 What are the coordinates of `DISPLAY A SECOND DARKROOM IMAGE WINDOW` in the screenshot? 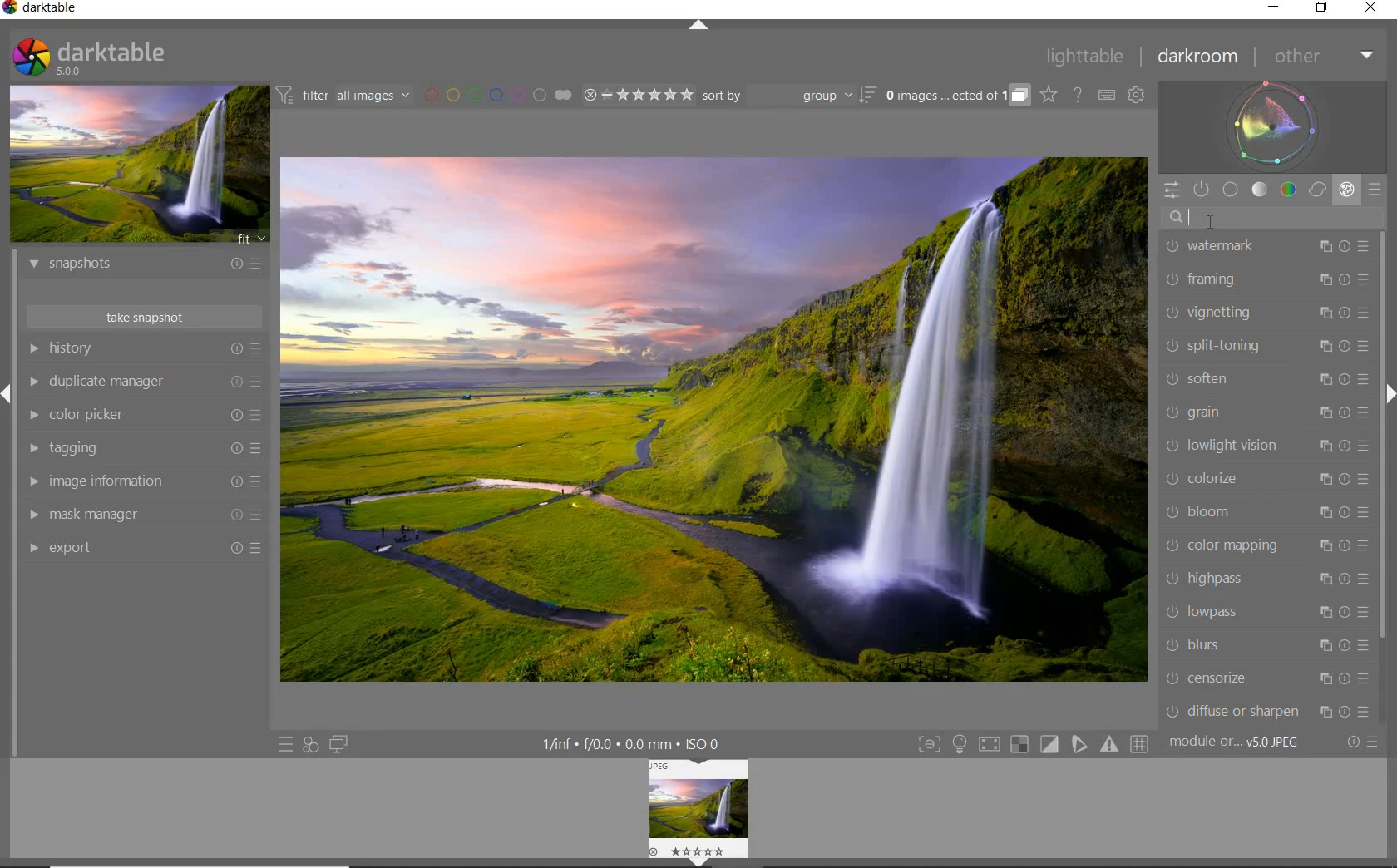 It's located at (339, 744).